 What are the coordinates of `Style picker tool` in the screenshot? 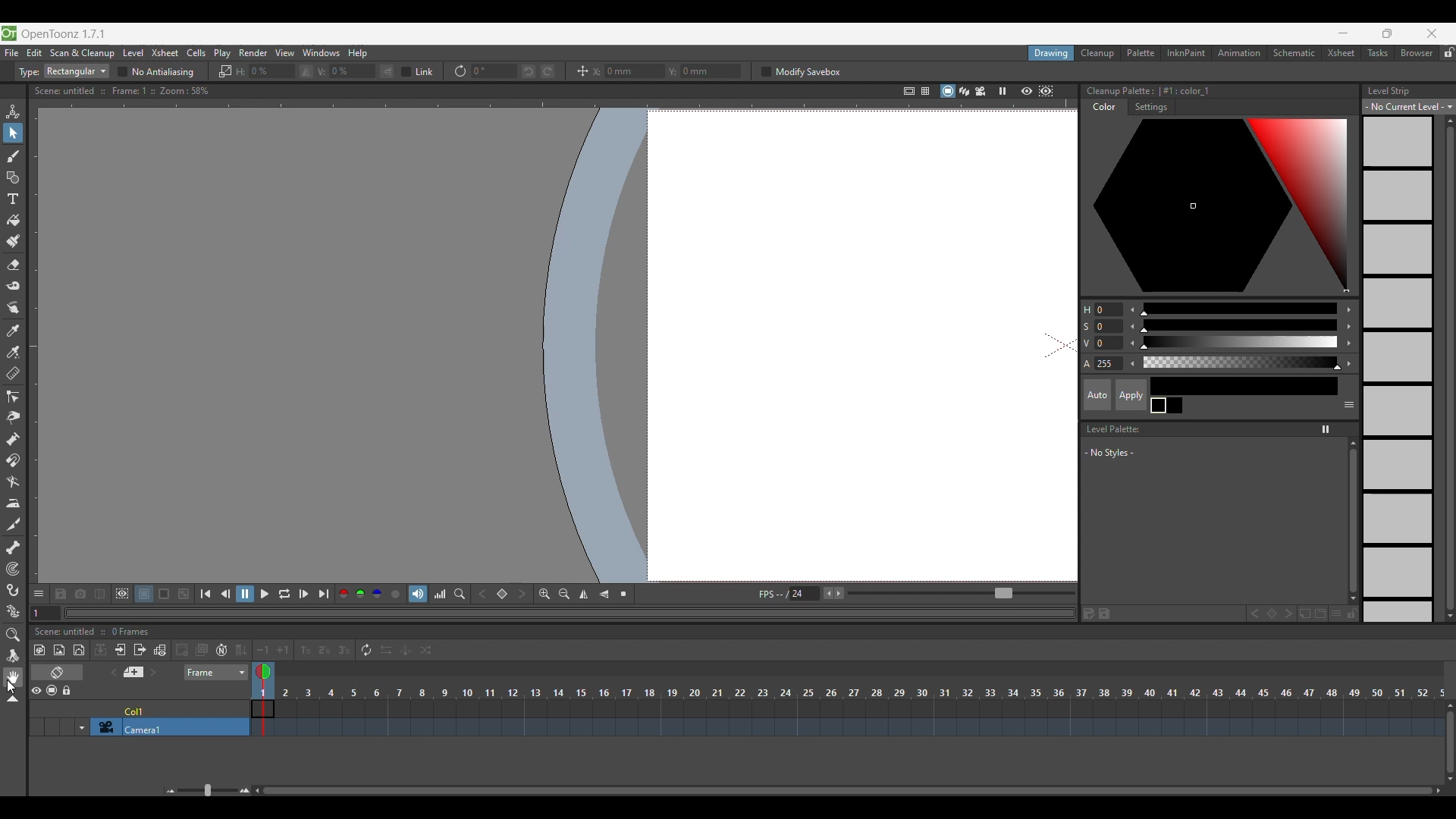 It's located at (13, 331).